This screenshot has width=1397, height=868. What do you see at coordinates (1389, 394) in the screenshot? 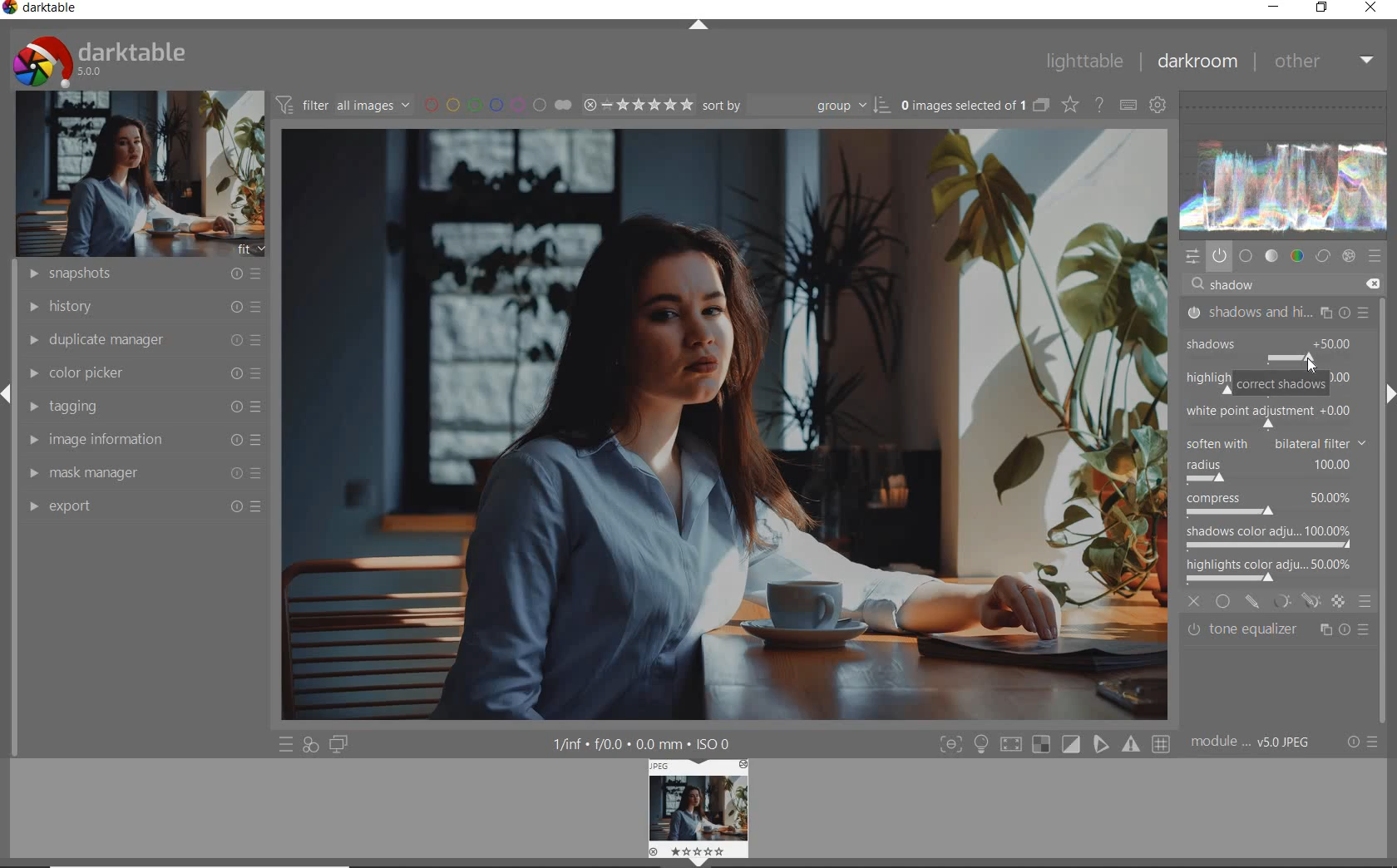
I see `expand/collapse` at bounding box center [1389, 394].